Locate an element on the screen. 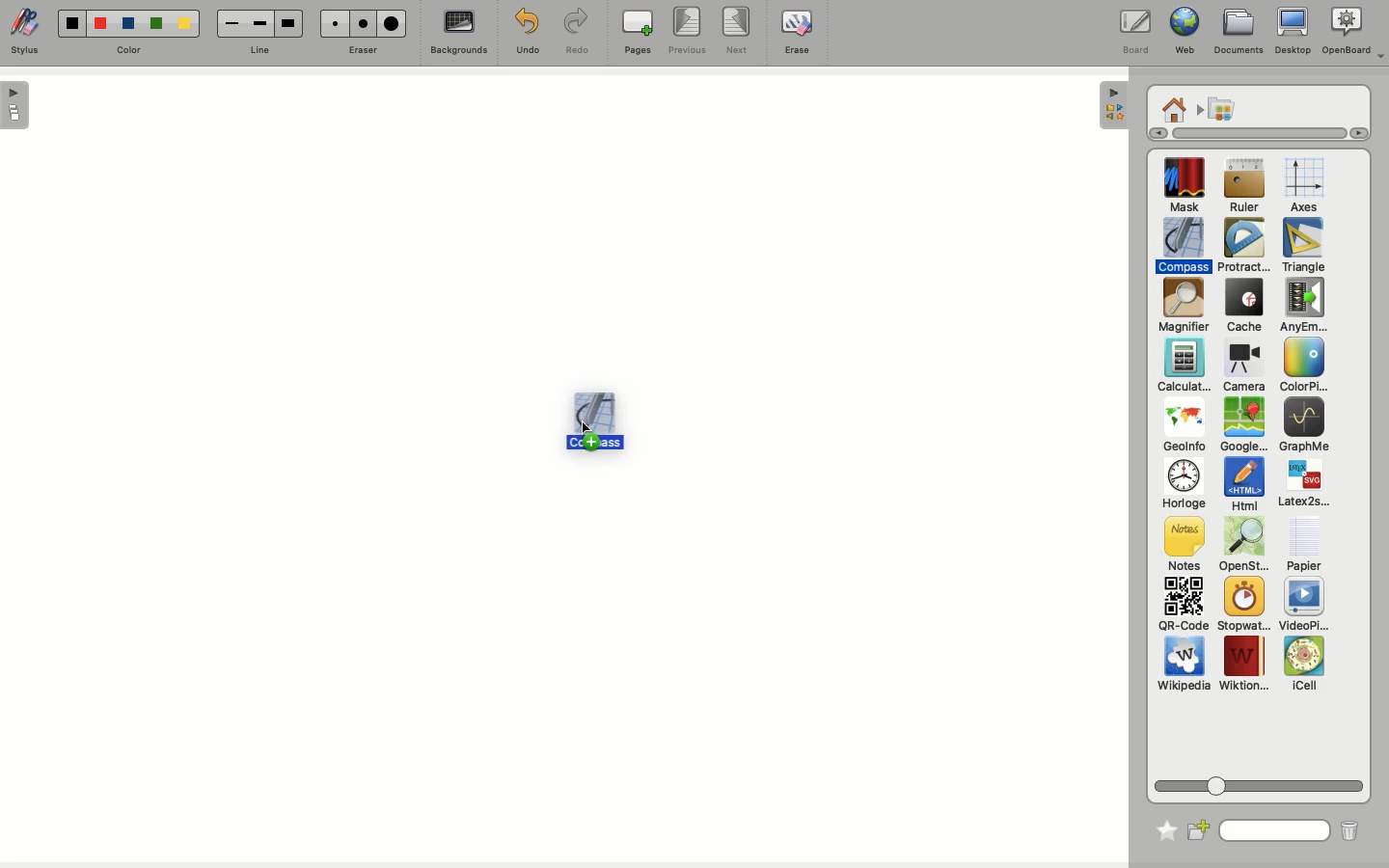 The width and height of the screenshot is (1389, 868). eraser3 is located at coordinates (393, 24).